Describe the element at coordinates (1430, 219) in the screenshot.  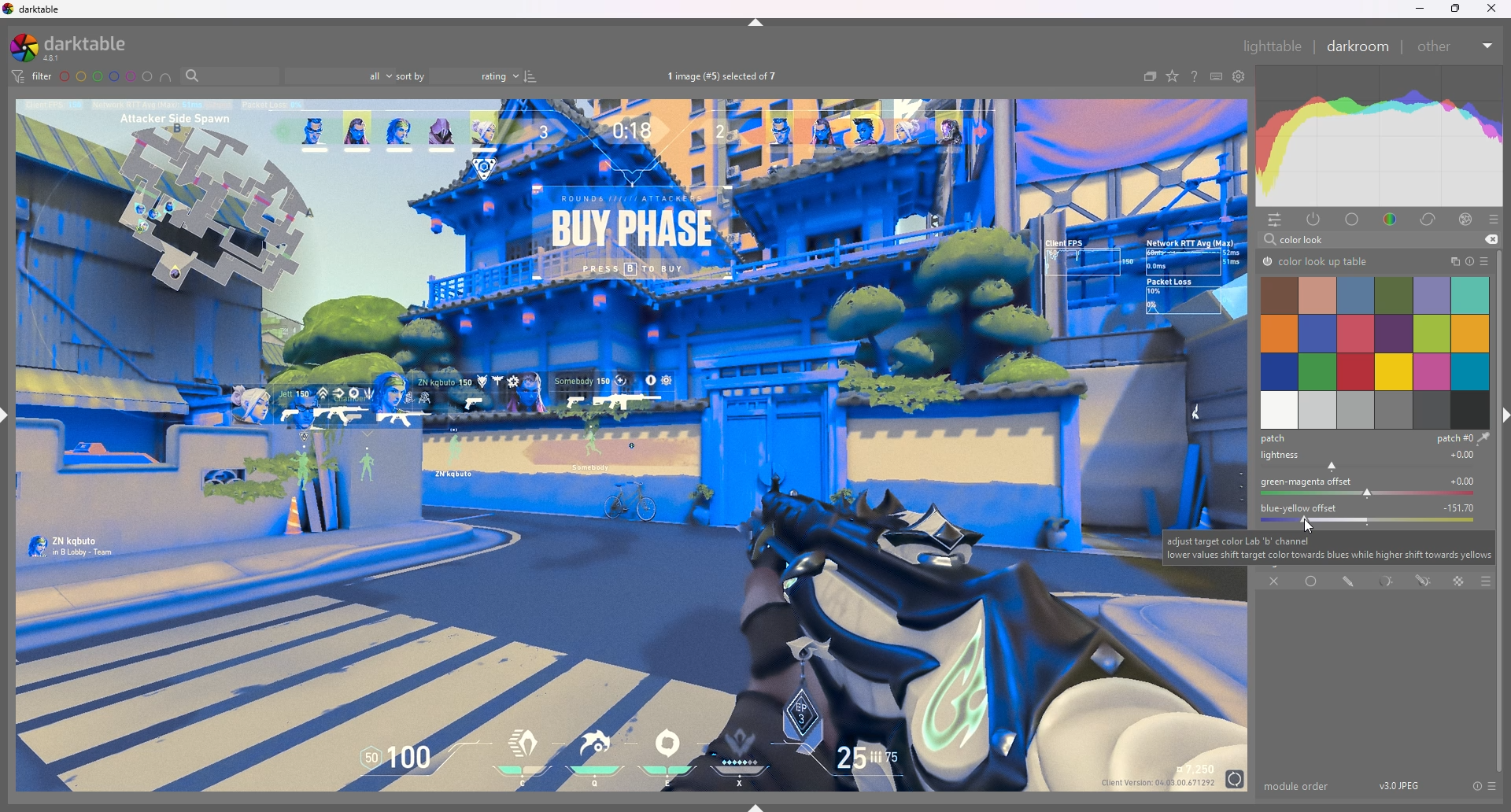
I see `correct` at that location.